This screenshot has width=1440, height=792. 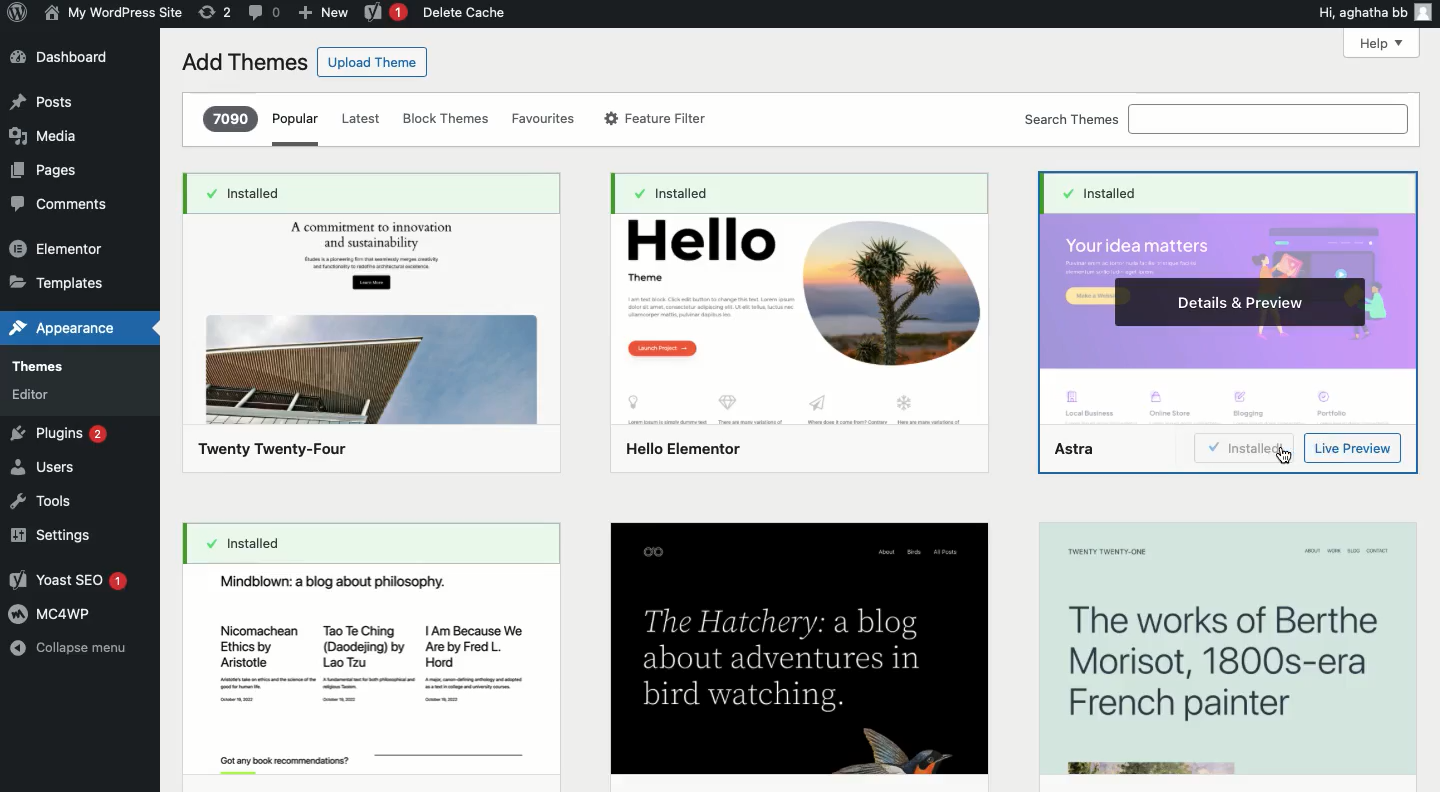 I want to click on Installed, so click(x=369, y=541).